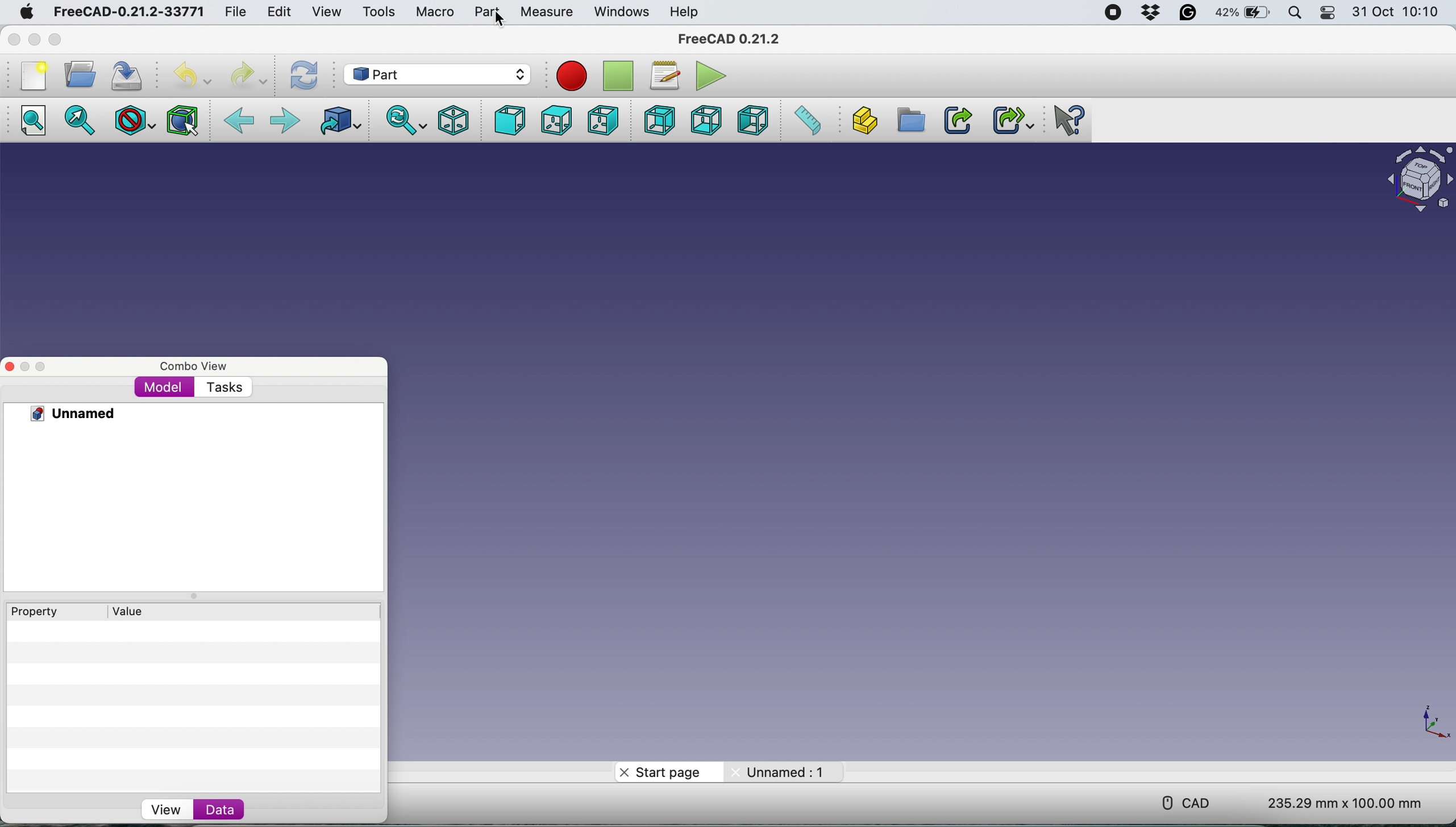 Image resolution: width=1456 pixels, height=827 pixels. Describe the element at coordinates (164, 390) in the screenshot. I see `Model` at that location.